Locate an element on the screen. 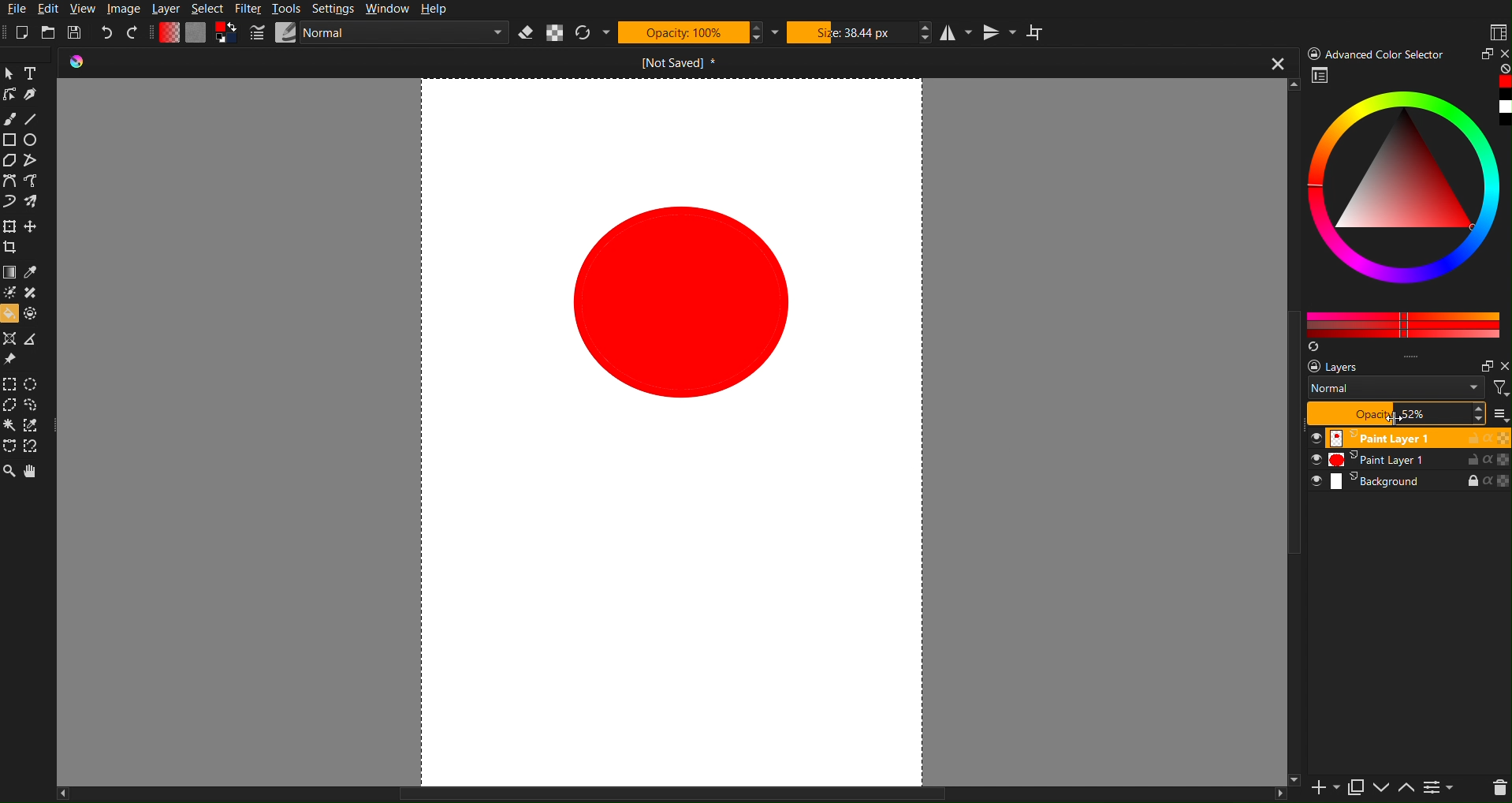  Multibrush is located at coordinates (32, 202).